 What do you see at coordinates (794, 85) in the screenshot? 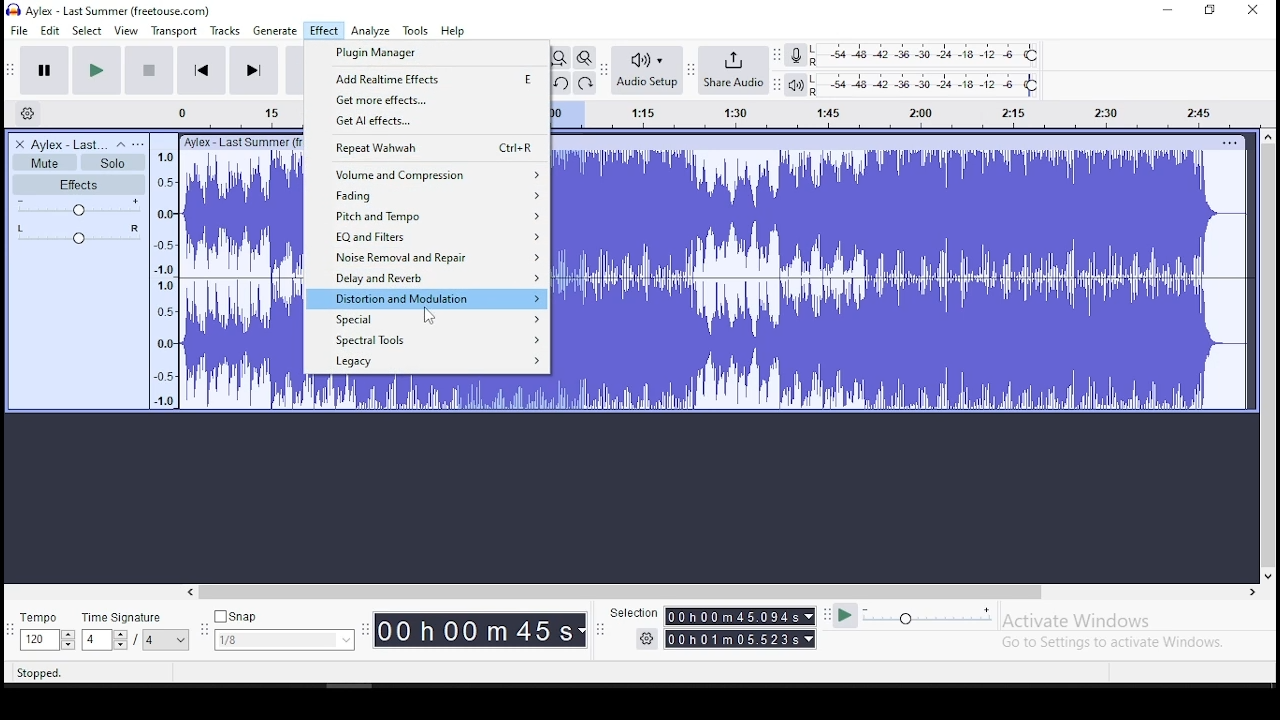
I see `playback meter` at bounding box center [794, 85].